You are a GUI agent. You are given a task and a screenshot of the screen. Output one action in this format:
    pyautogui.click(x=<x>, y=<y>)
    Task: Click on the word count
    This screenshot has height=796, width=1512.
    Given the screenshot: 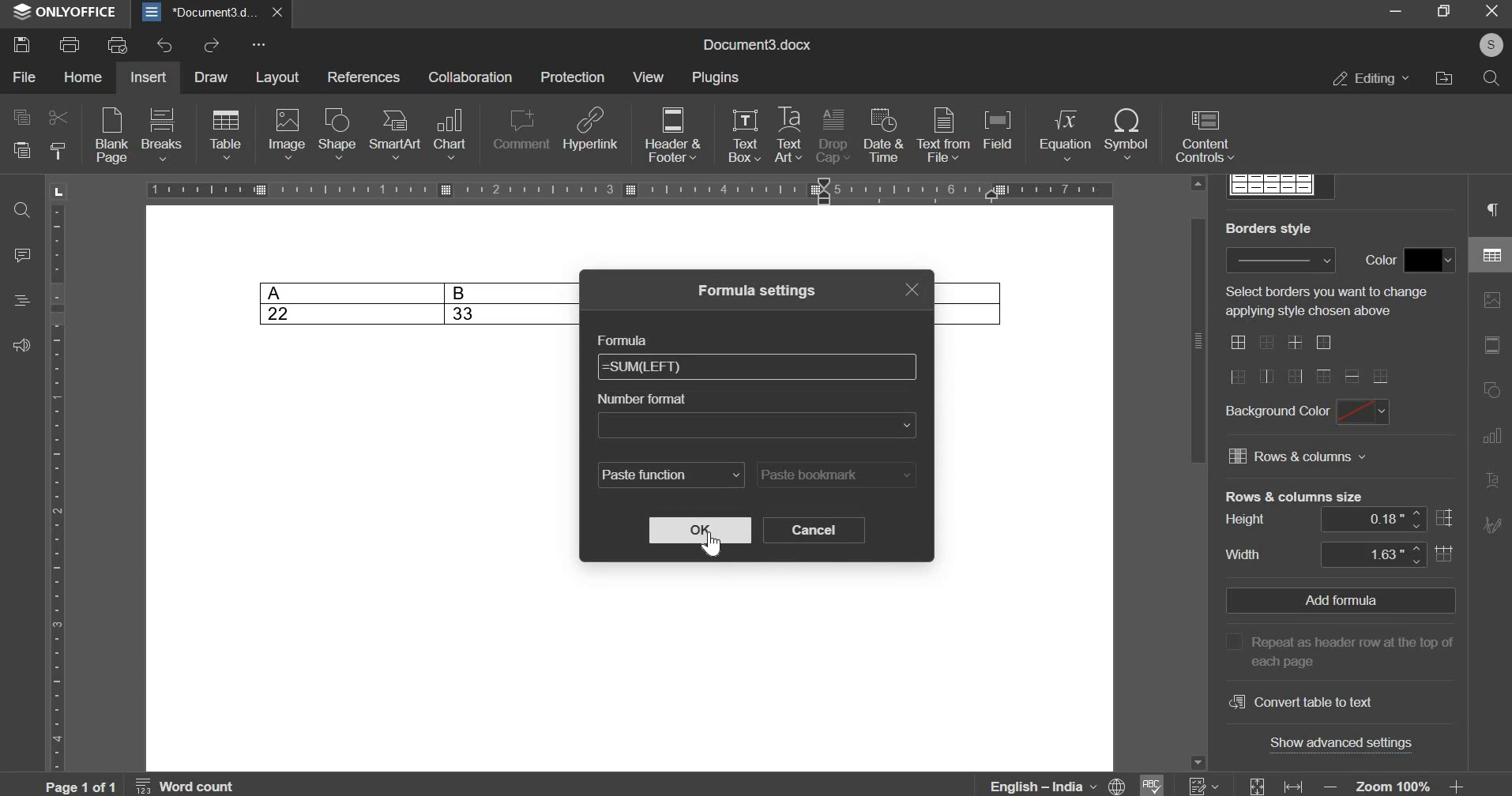 What is the action you would take?
    pyautogui.click(x=186, y=786)
    